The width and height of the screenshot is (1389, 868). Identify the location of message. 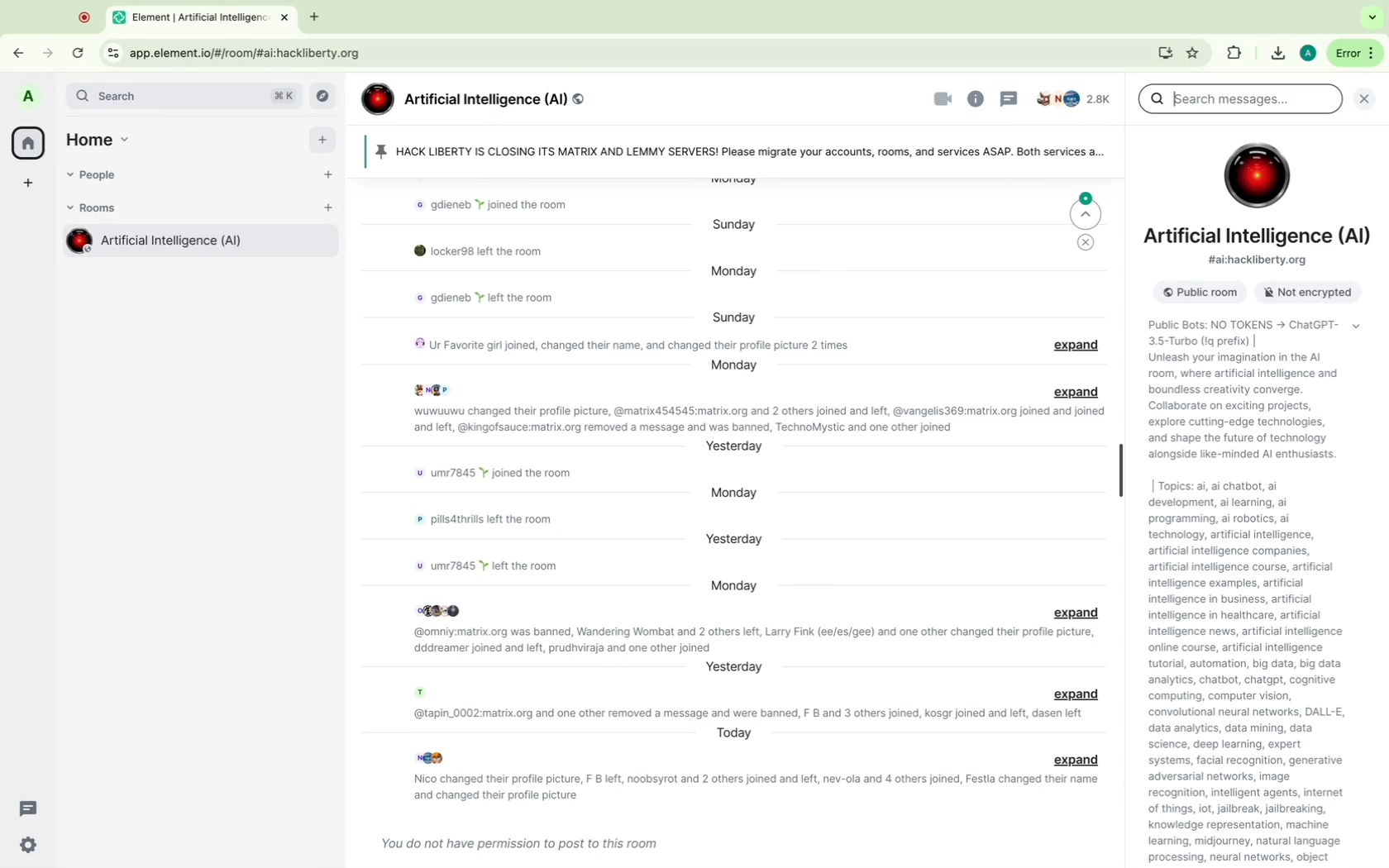
(759, 786).